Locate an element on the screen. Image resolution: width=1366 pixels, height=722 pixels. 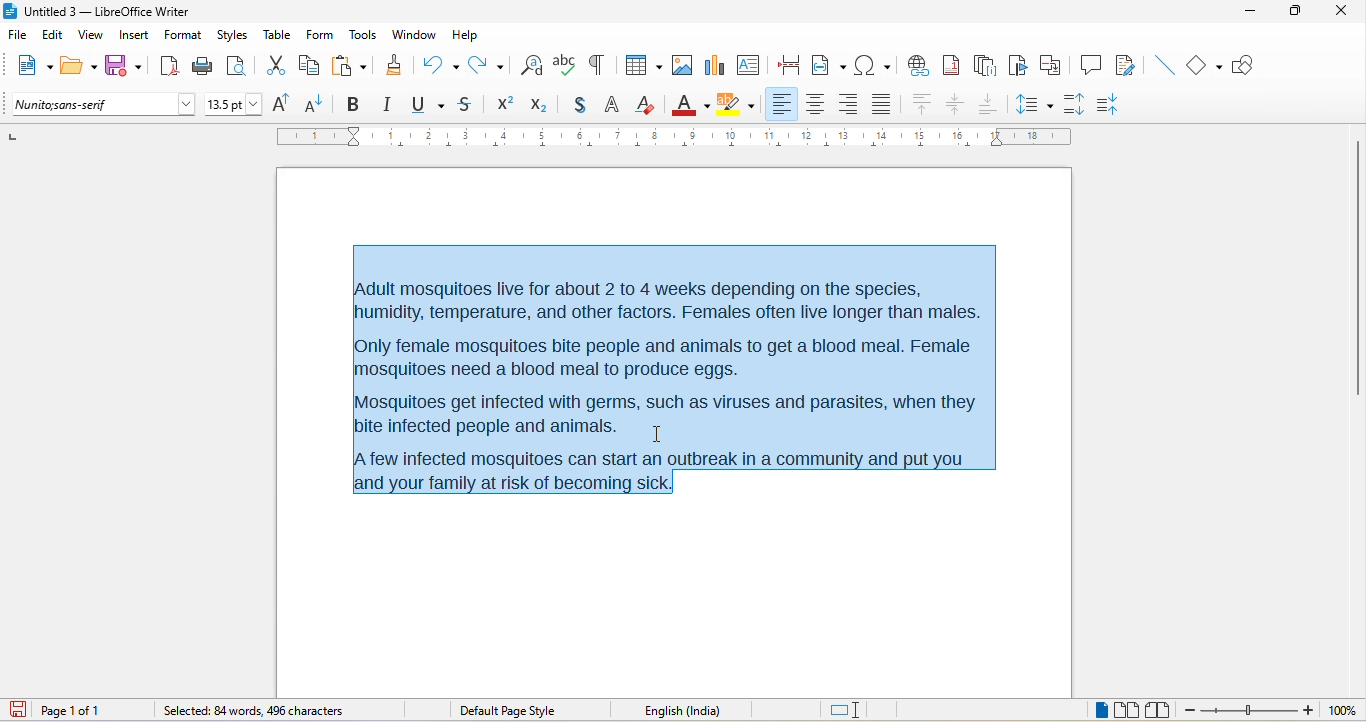
align bottom is located at coordinates (989, 103).